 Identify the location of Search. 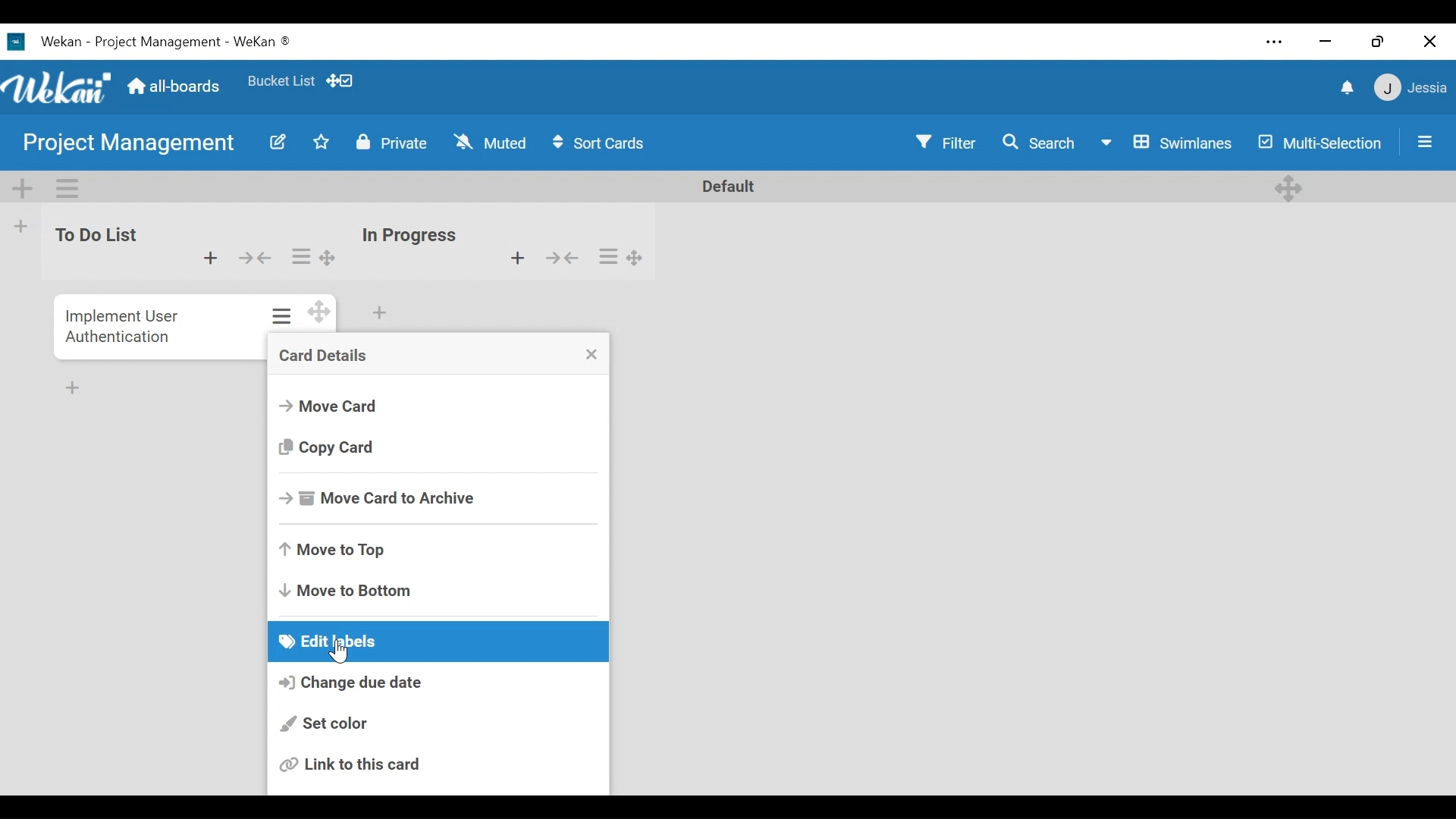
(1043, 142).